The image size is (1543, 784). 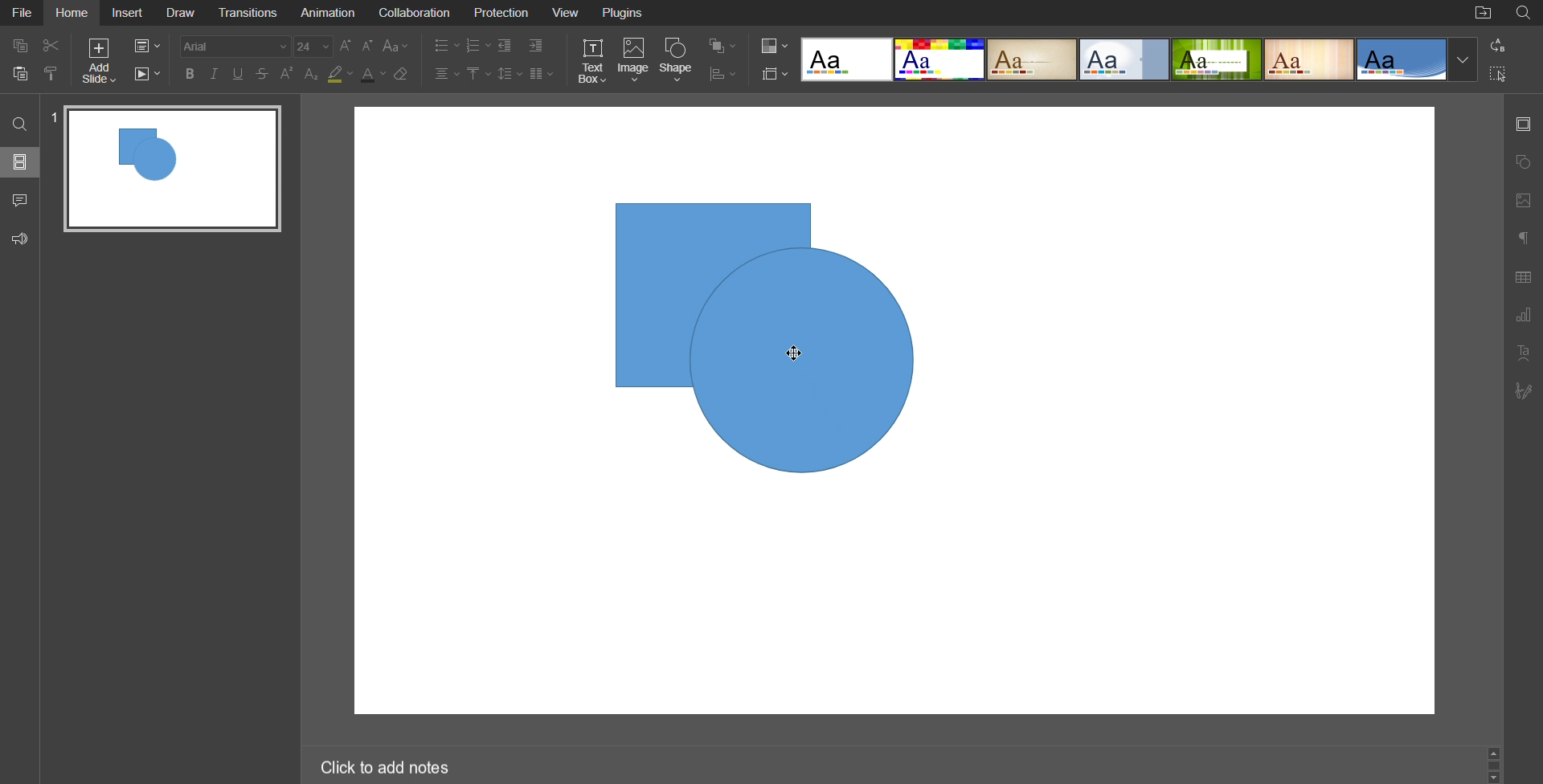 I want to click on 24, so click(x=313, y=47).